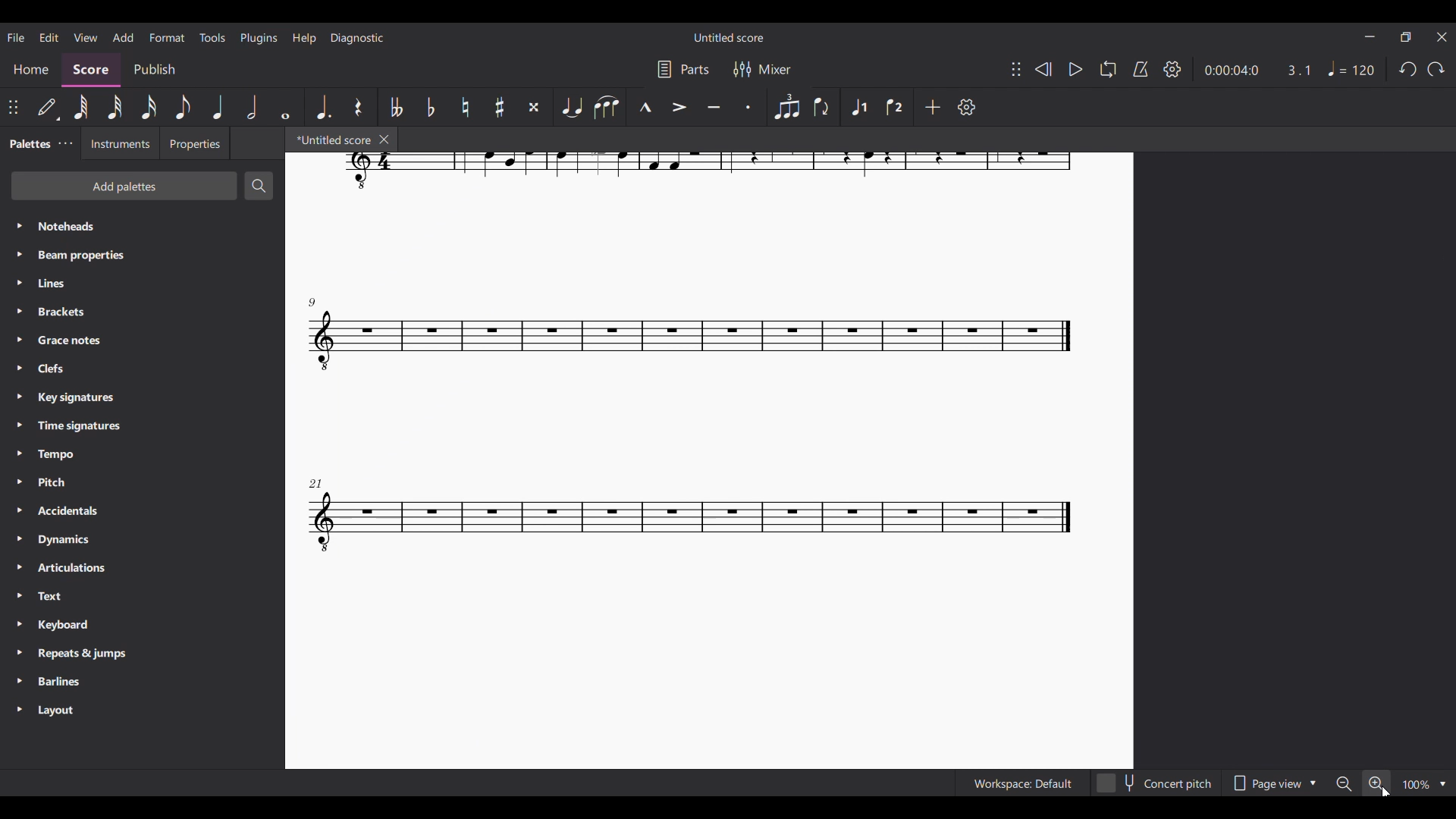  I want to click on Dynamics, so click(143, 540).